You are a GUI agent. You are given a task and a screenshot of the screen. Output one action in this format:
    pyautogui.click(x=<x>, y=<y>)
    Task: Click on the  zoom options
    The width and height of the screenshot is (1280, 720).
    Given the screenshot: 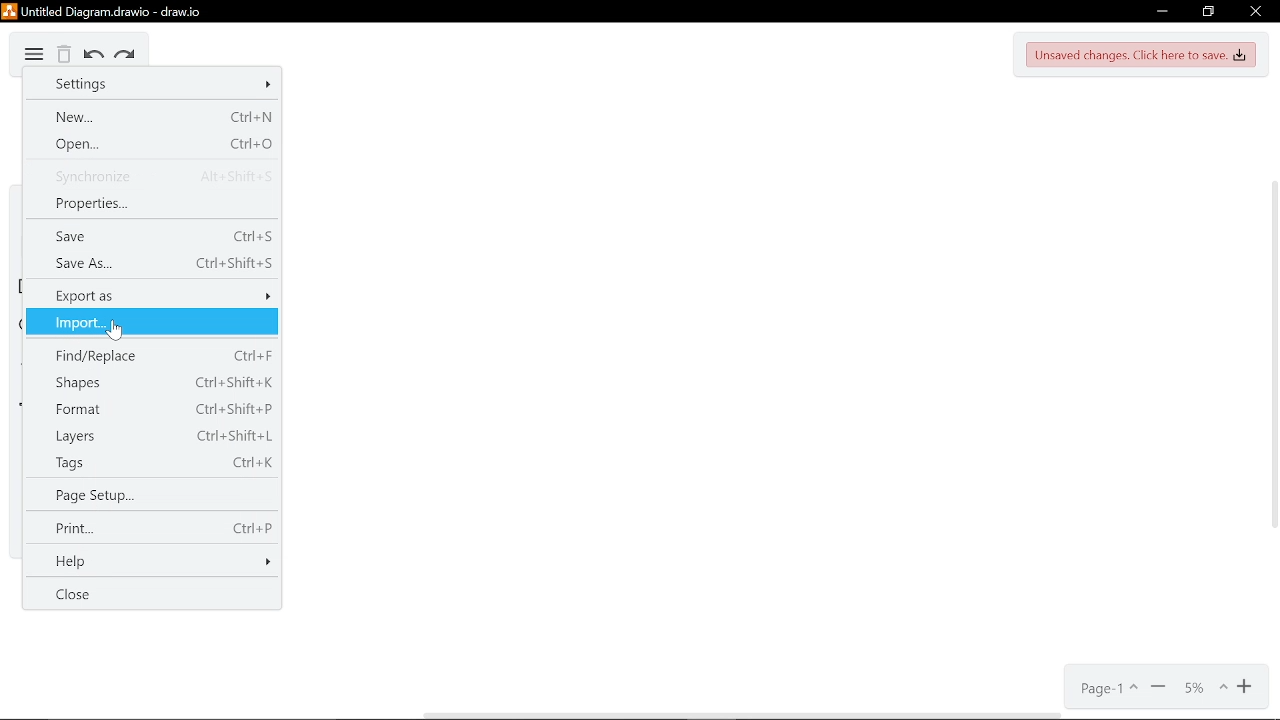 What is the action you would take?
    pyautogui.click(x=1198, y=684)
    